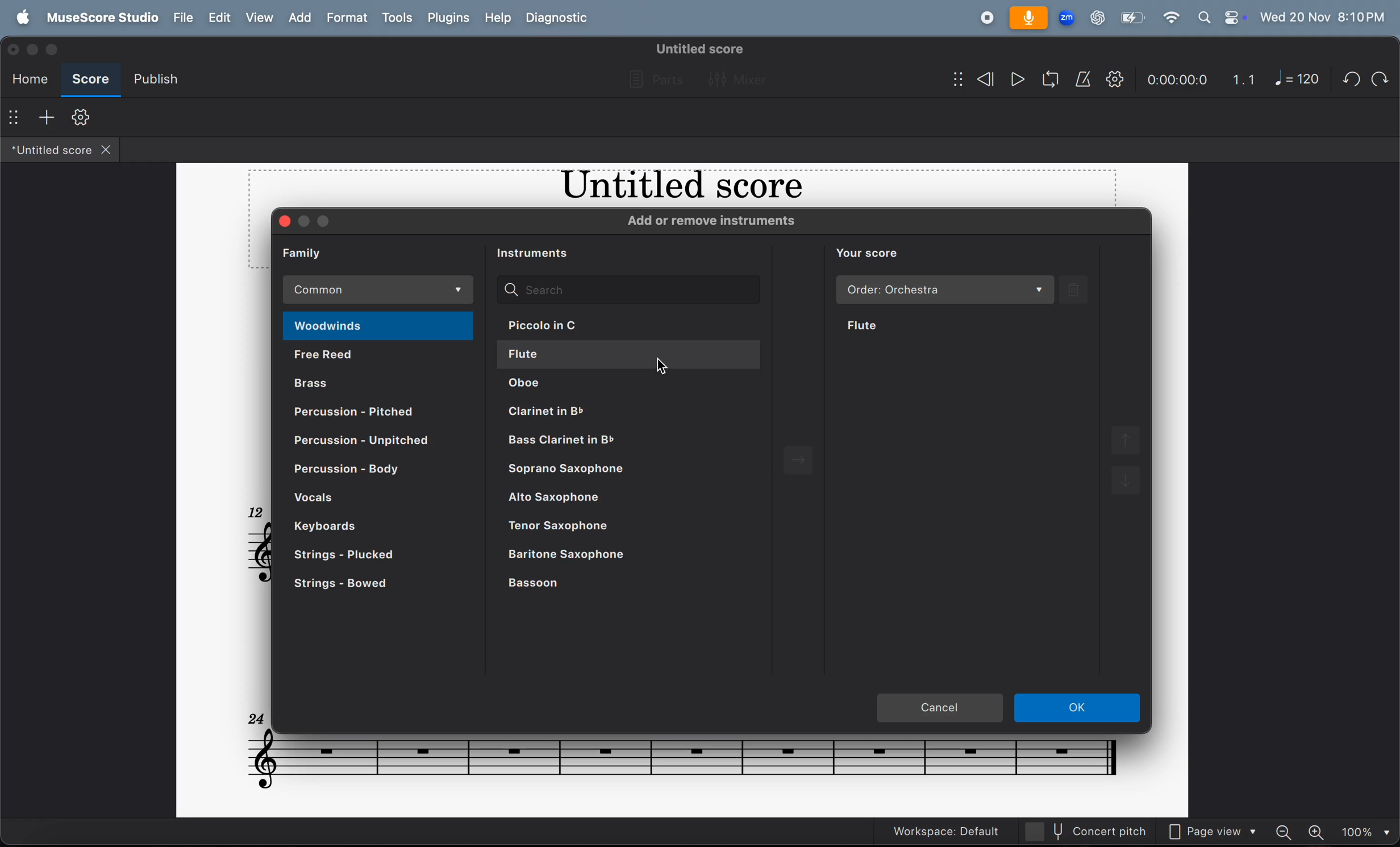  Describe the element at coordinates (1349, 79) in the screenshot. I see `undo` at that location.